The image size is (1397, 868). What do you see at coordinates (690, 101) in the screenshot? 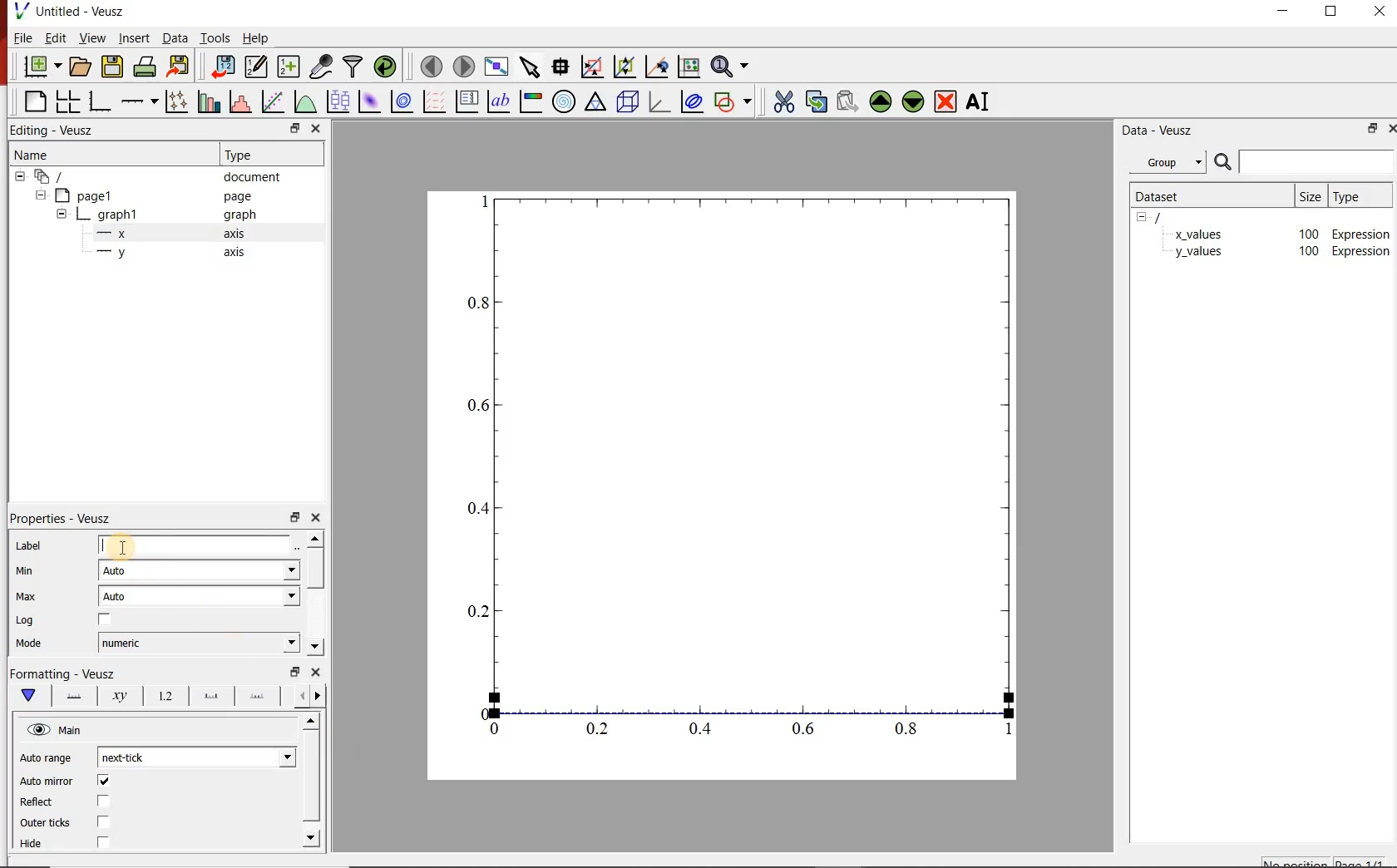
I see `plot covariance ellipse` at bounding box center [690, 101].